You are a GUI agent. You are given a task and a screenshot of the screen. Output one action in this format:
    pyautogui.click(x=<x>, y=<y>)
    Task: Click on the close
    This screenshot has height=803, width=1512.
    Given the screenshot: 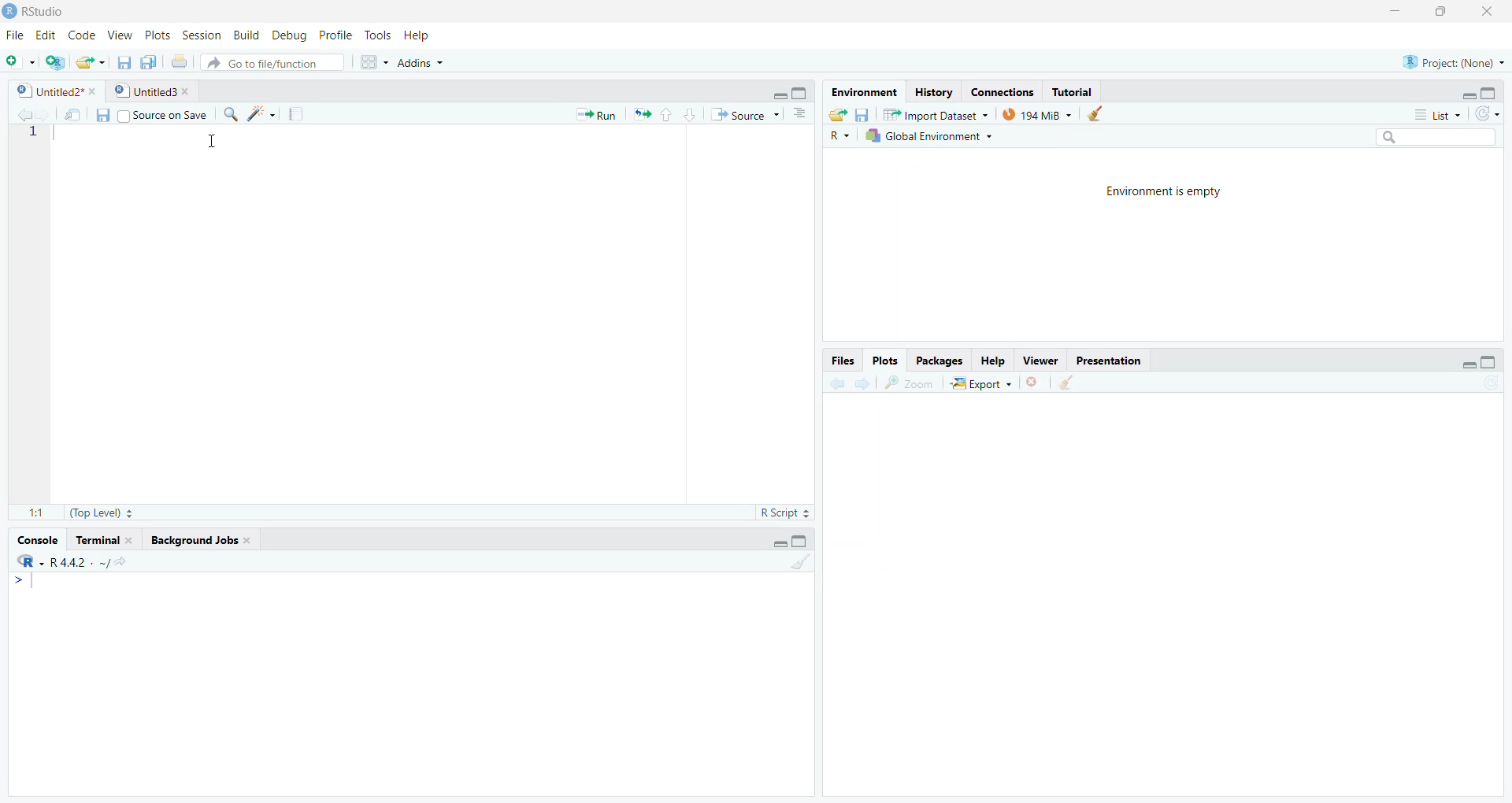 What is the action you would take?
    pyautogui.click(x=1035, y=384)
    